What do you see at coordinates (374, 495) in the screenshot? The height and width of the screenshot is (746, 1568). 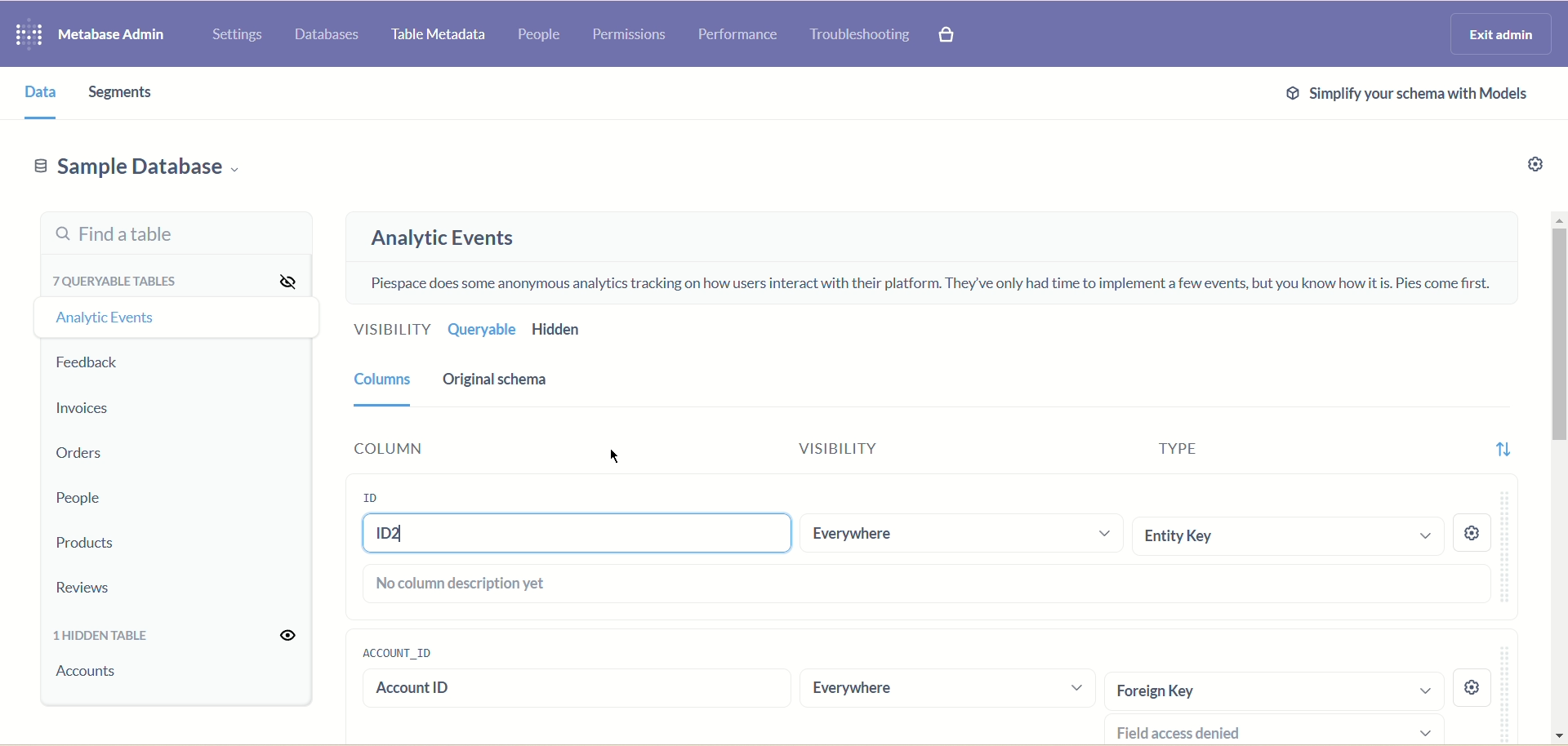 I see `ID` at bounding box center [374, 495].